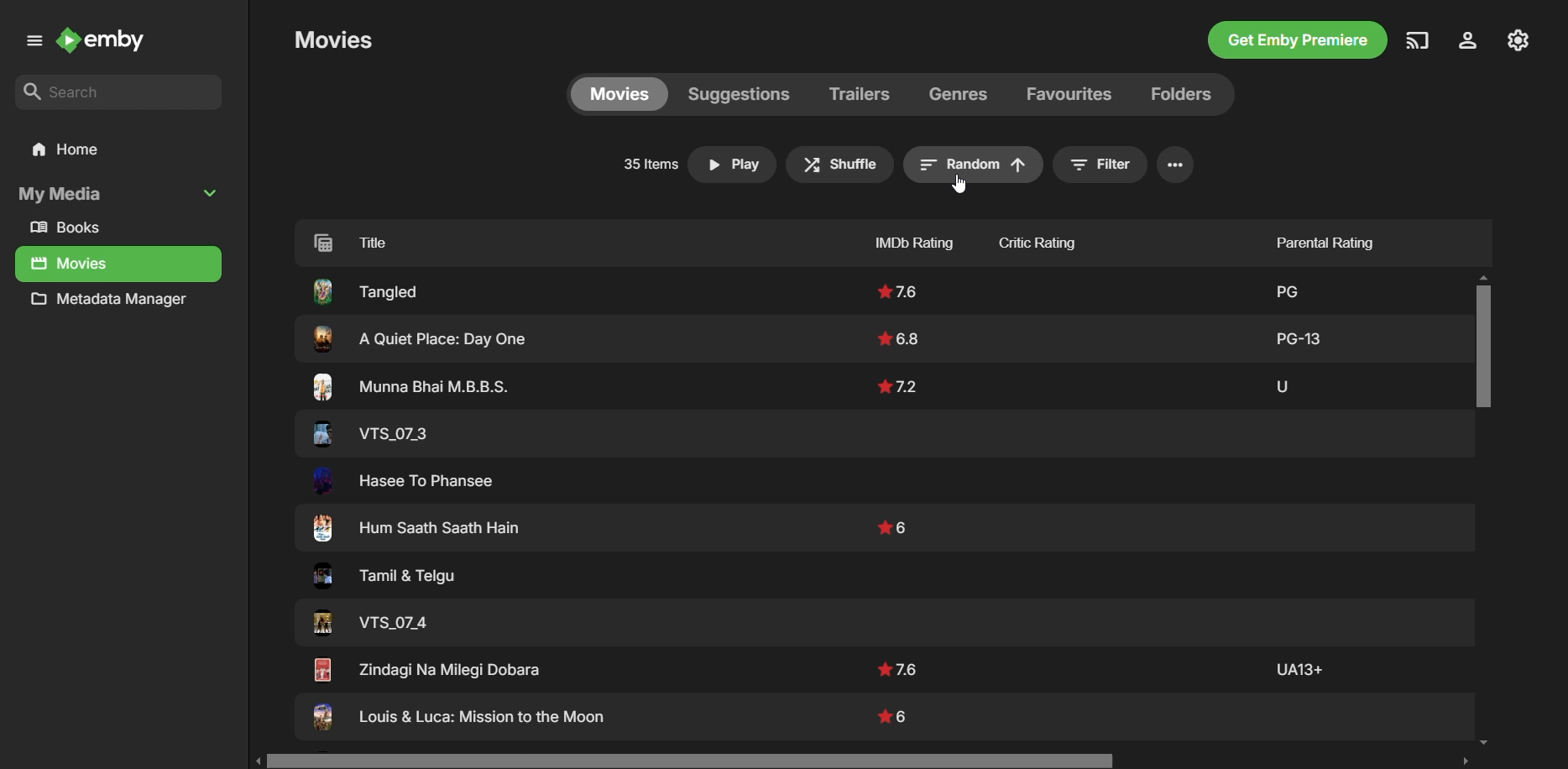 The width and height of the screenshot is (1568, 769). Describe the element at coordinates (881, 239) in the screenshot. I see `IMDb Rating` at that location.